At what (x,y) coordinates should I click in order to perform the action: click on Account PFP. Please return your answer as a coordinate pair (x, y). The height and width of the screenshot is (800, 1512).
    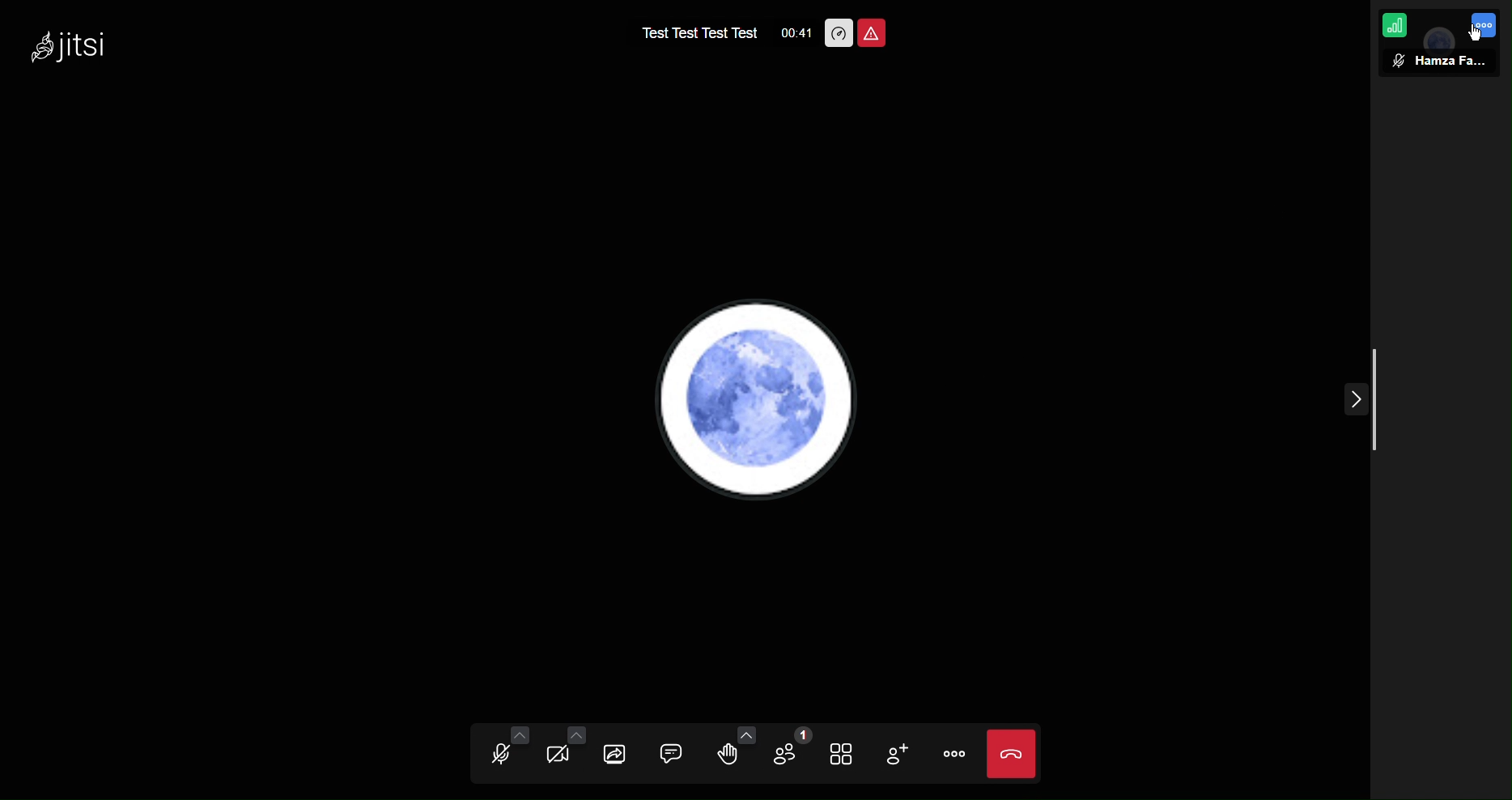
    Looking at the image, I should click on (765, 400).